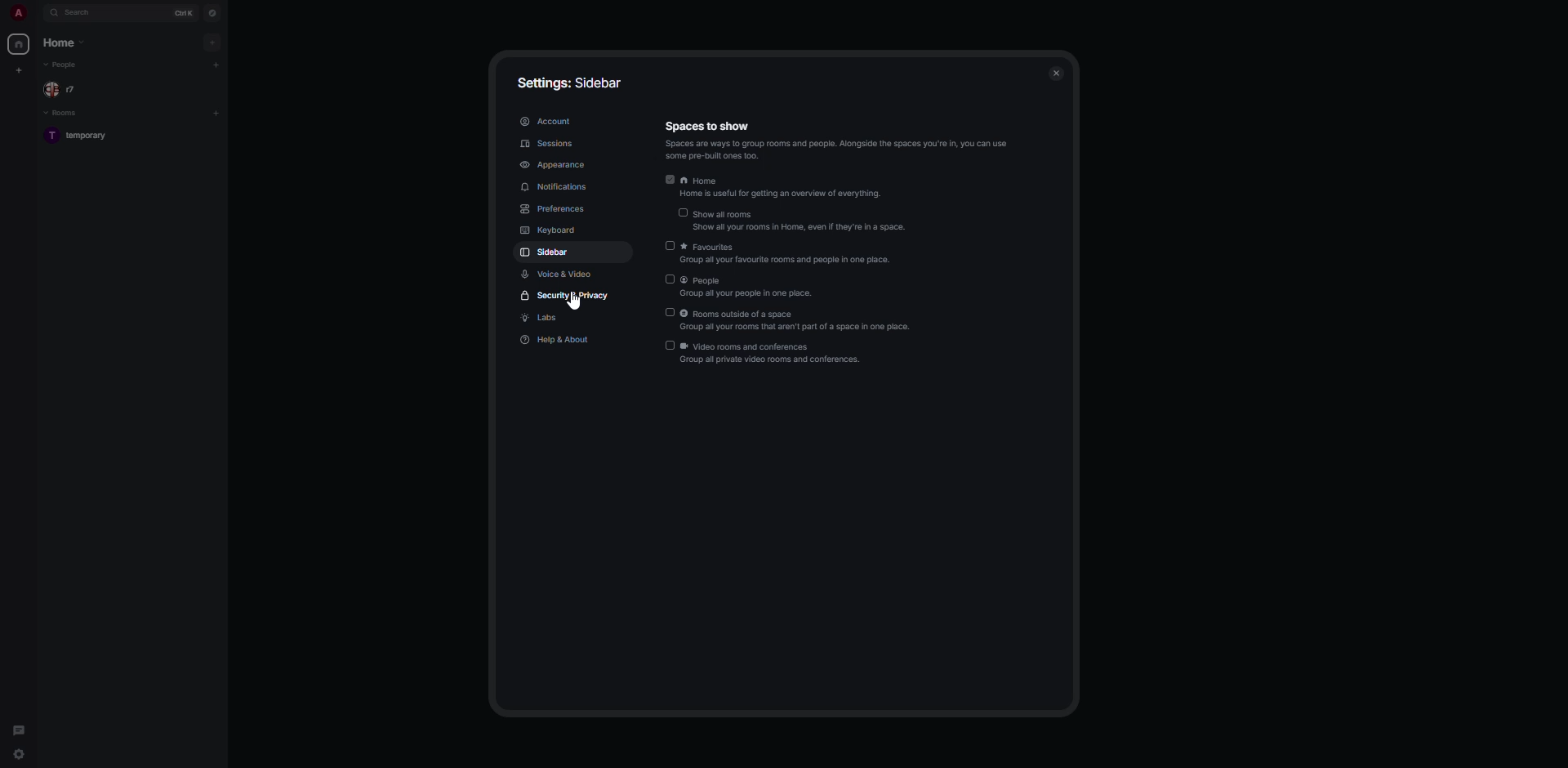 This screenshot has width=1568, height=768. I want to click on quick settings, so click(20, 757).